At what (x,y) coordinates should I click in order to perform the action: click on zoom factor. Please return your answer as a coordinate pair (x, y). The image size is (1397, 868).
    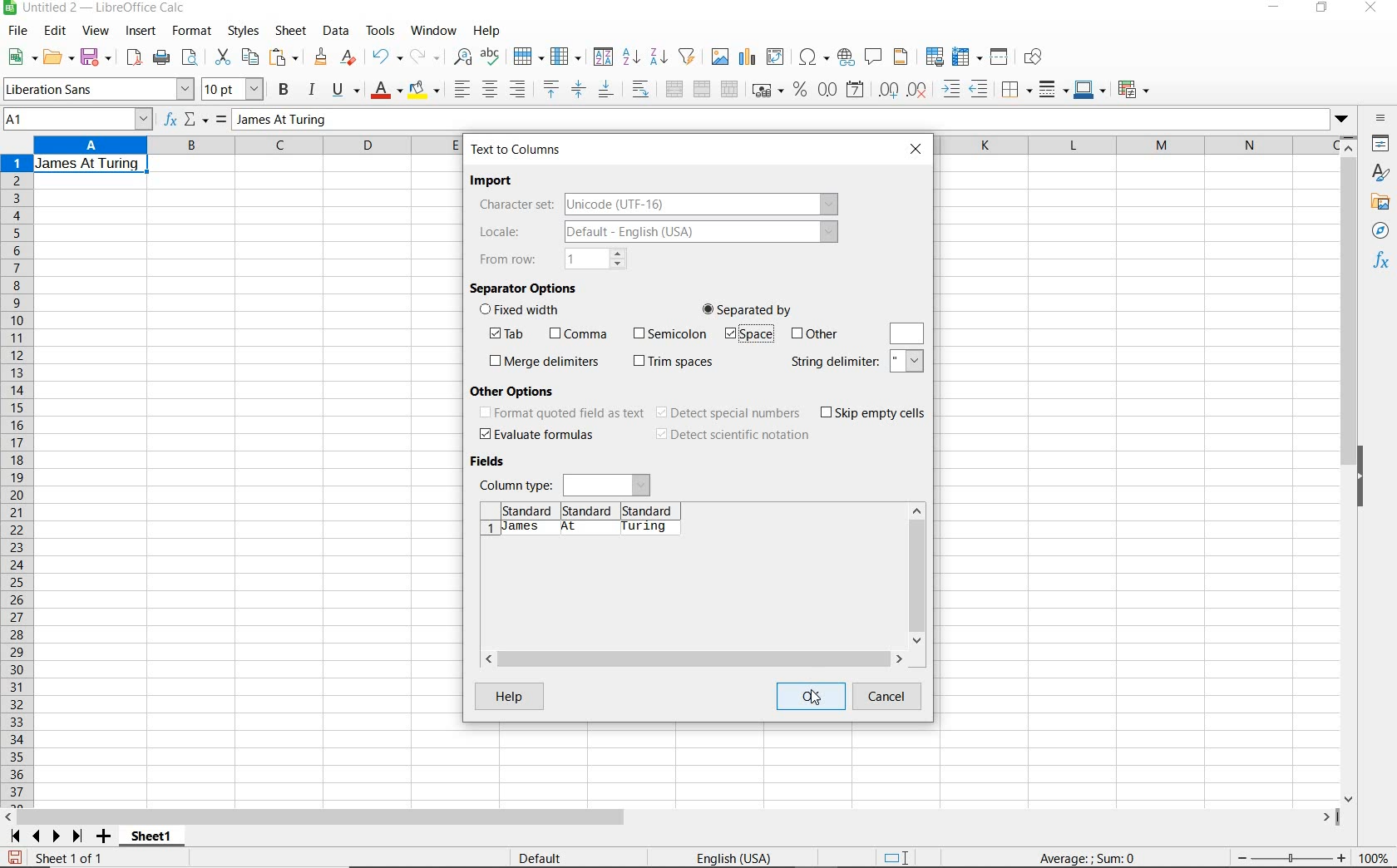
    Looking at the image, I should click on (1375, 859).